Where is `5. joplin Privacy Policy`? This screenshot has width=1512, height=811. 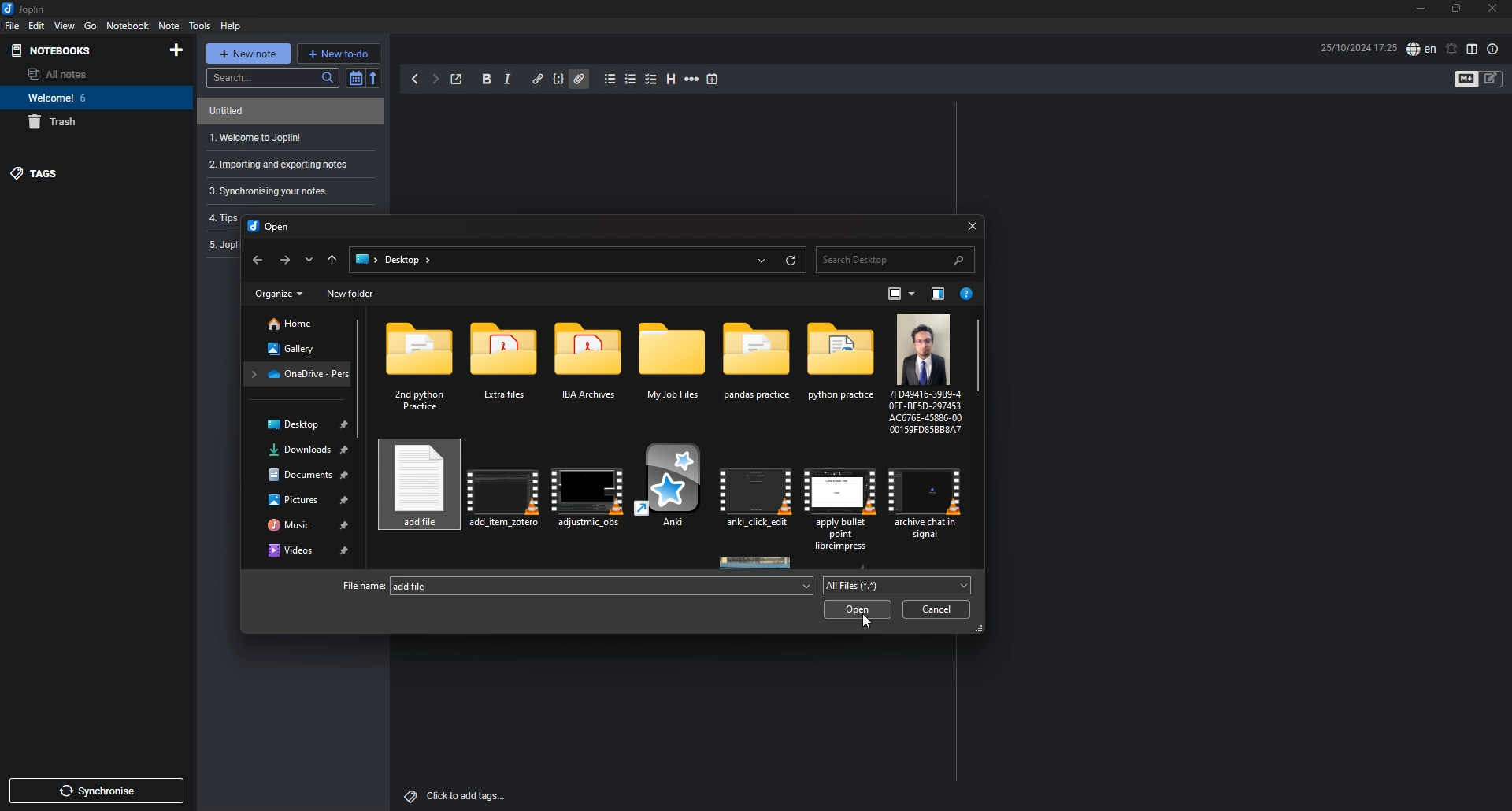 5. joplin Privacy Policy is located at coordinates (223, 245).